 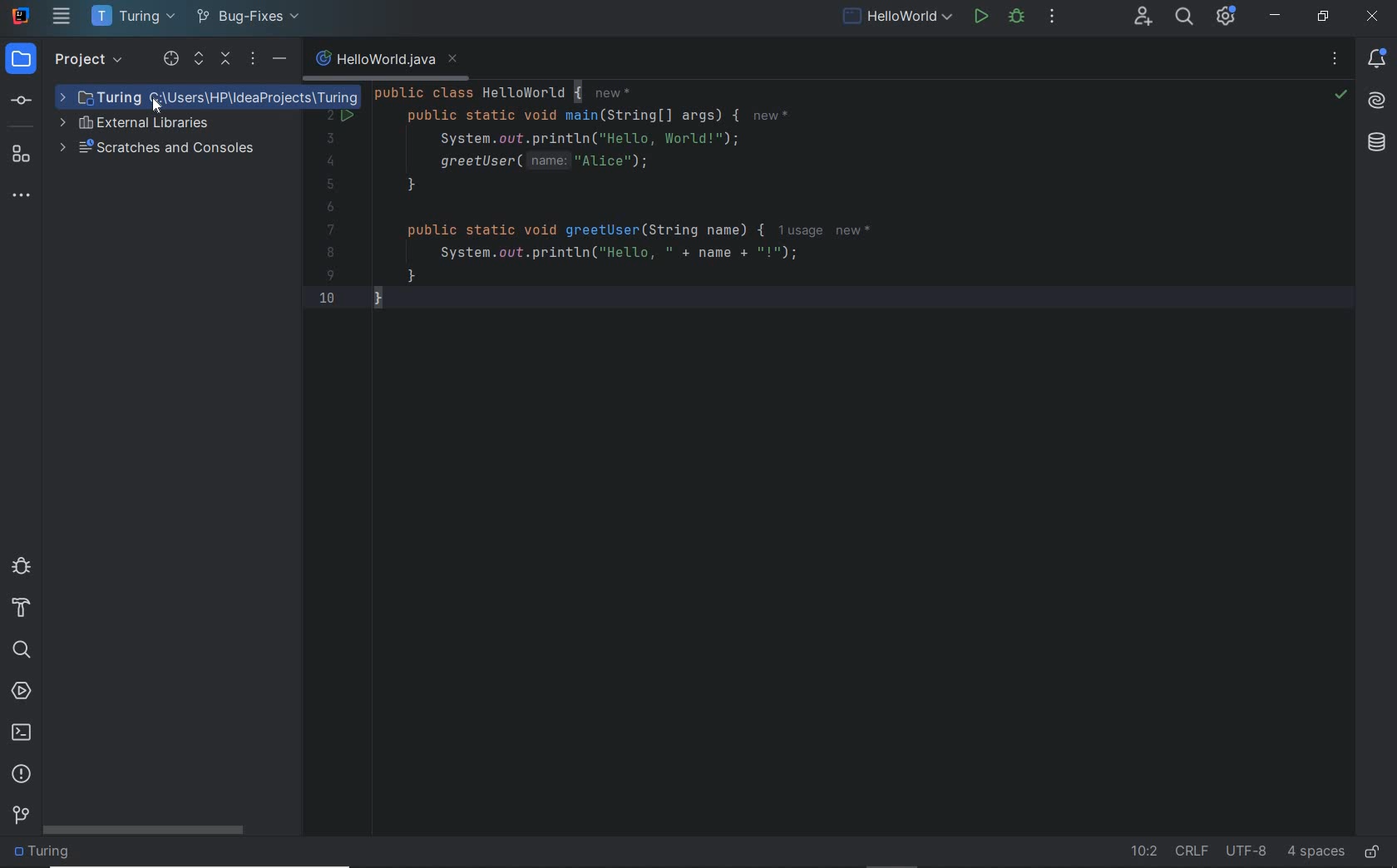 I want to click on project name, so click(x=131, y=17).